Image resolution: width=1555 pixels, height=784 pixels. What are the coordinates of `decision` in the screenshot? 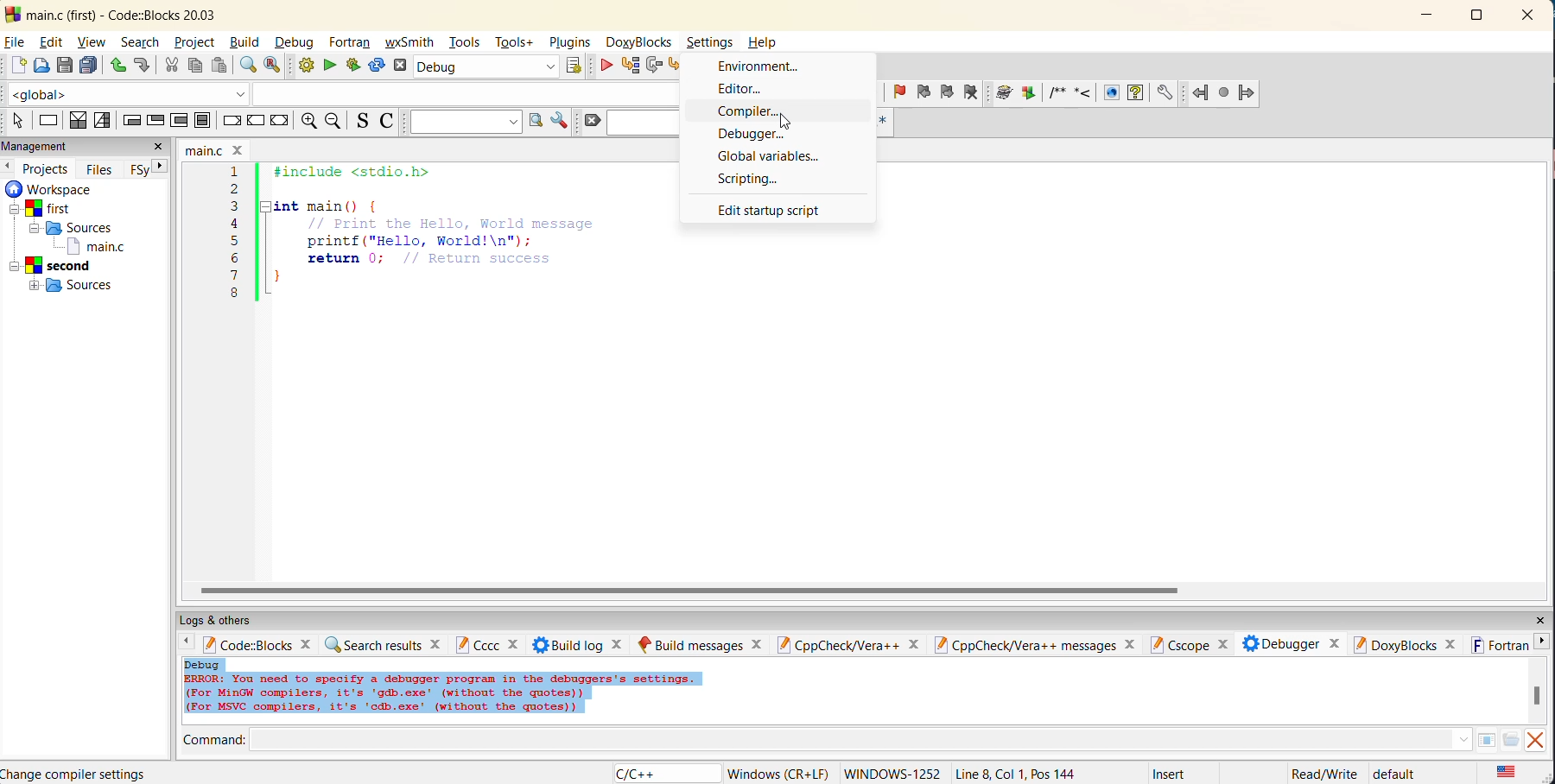 It's located at (76, 122).